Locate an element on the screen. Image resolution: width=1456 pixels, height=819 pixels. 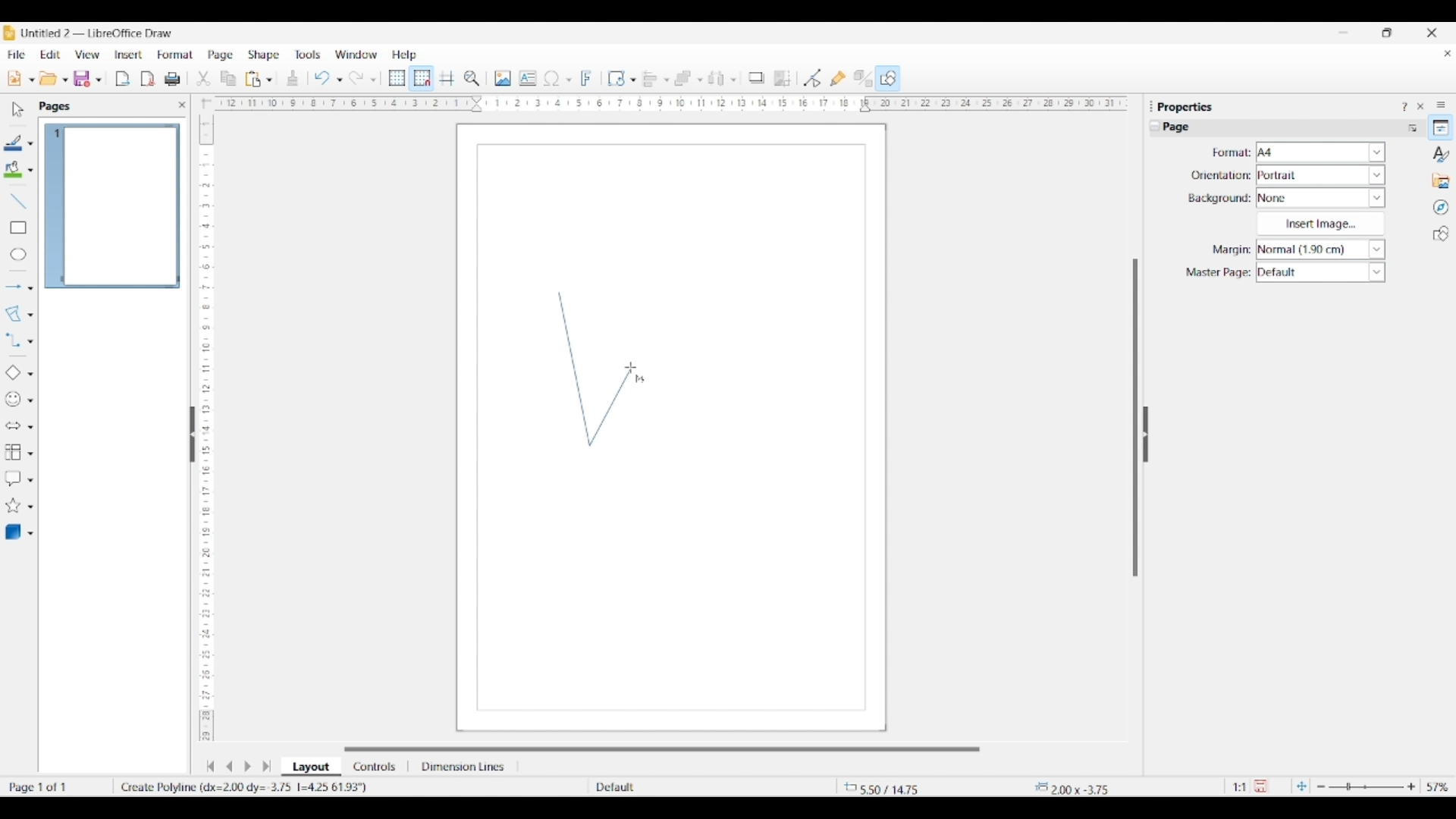
Section title - Properties is located at coordinates (1187, 106).